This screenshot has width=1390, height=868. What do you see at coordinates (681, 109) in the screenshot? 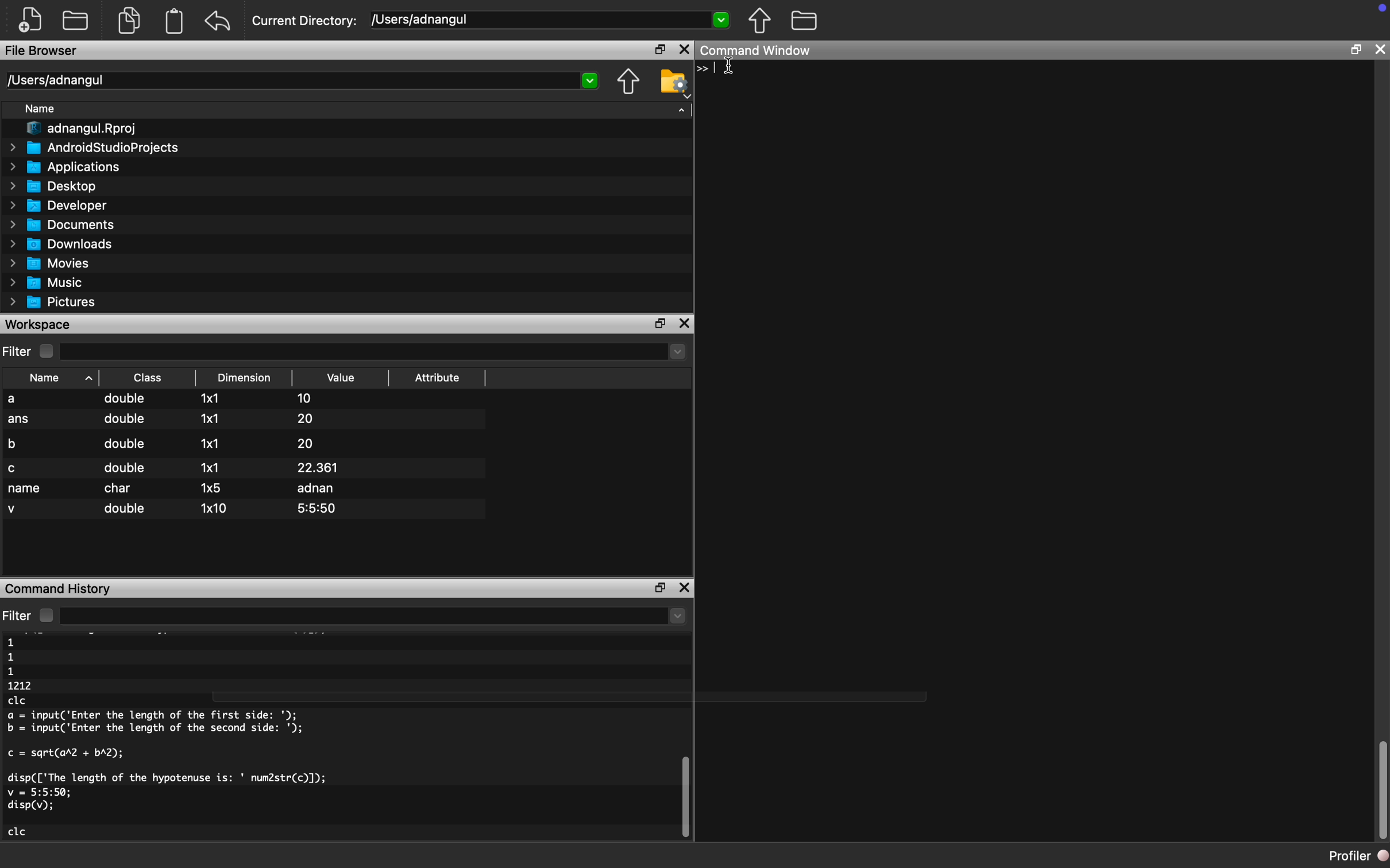
I see `Dropdown` at bounding box center [681, 109].